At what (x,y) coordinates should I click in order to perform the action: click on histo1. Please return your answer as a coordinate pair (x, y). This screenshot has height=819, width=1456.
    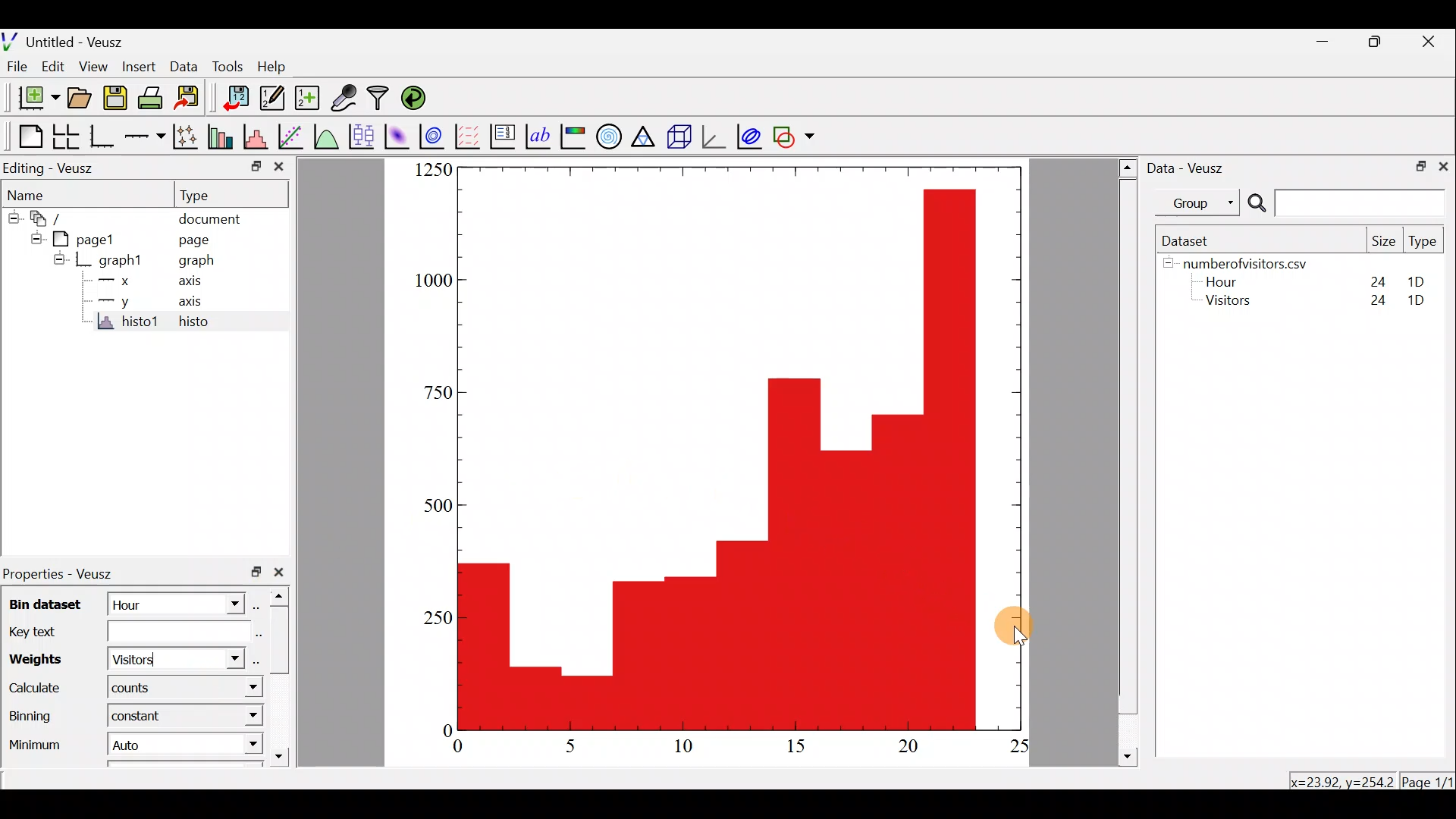
    Looking at the image, I should click on (123, 324).